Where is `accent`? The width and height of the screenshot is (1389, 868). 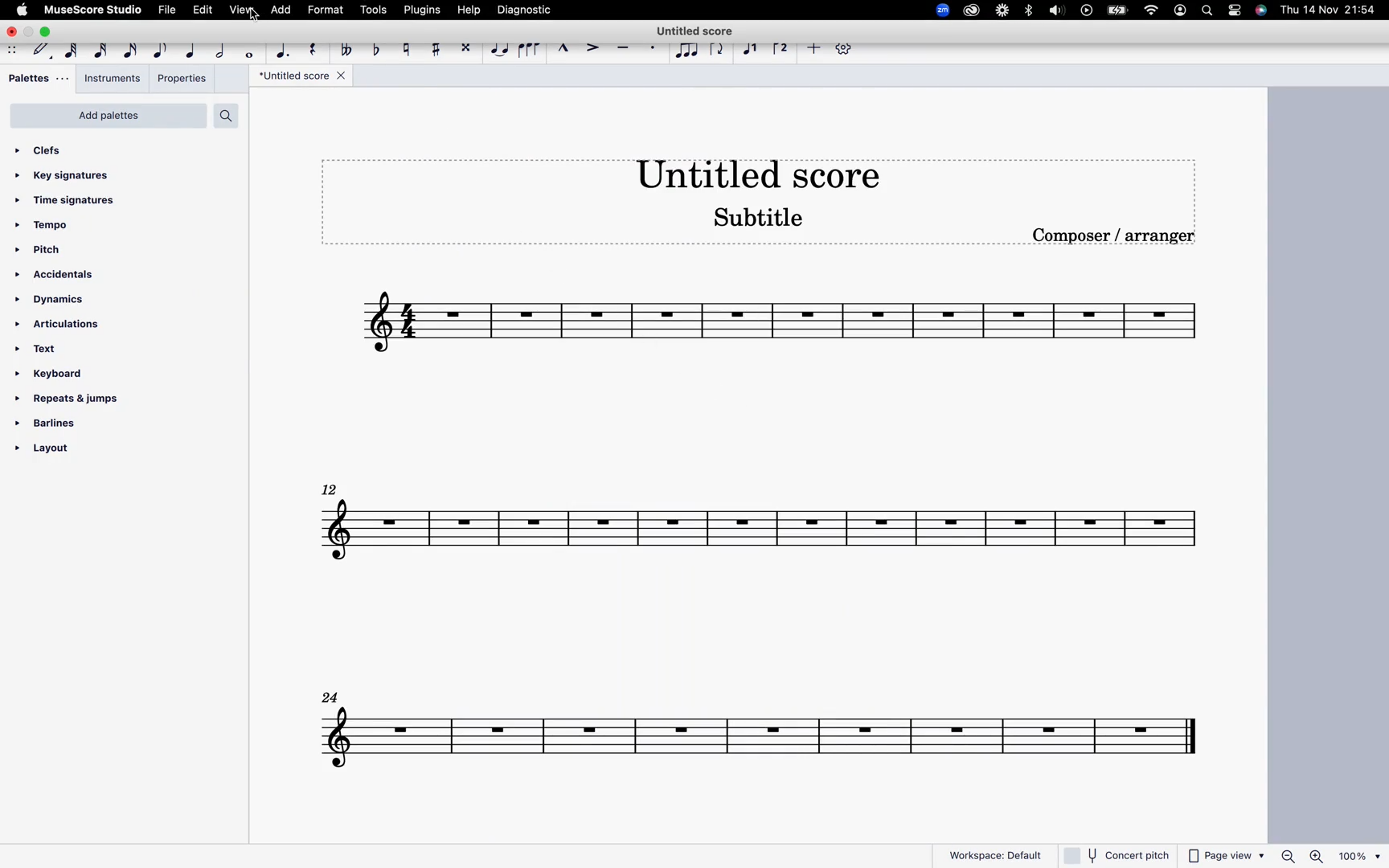 accent is located at coordinates (592, 49).